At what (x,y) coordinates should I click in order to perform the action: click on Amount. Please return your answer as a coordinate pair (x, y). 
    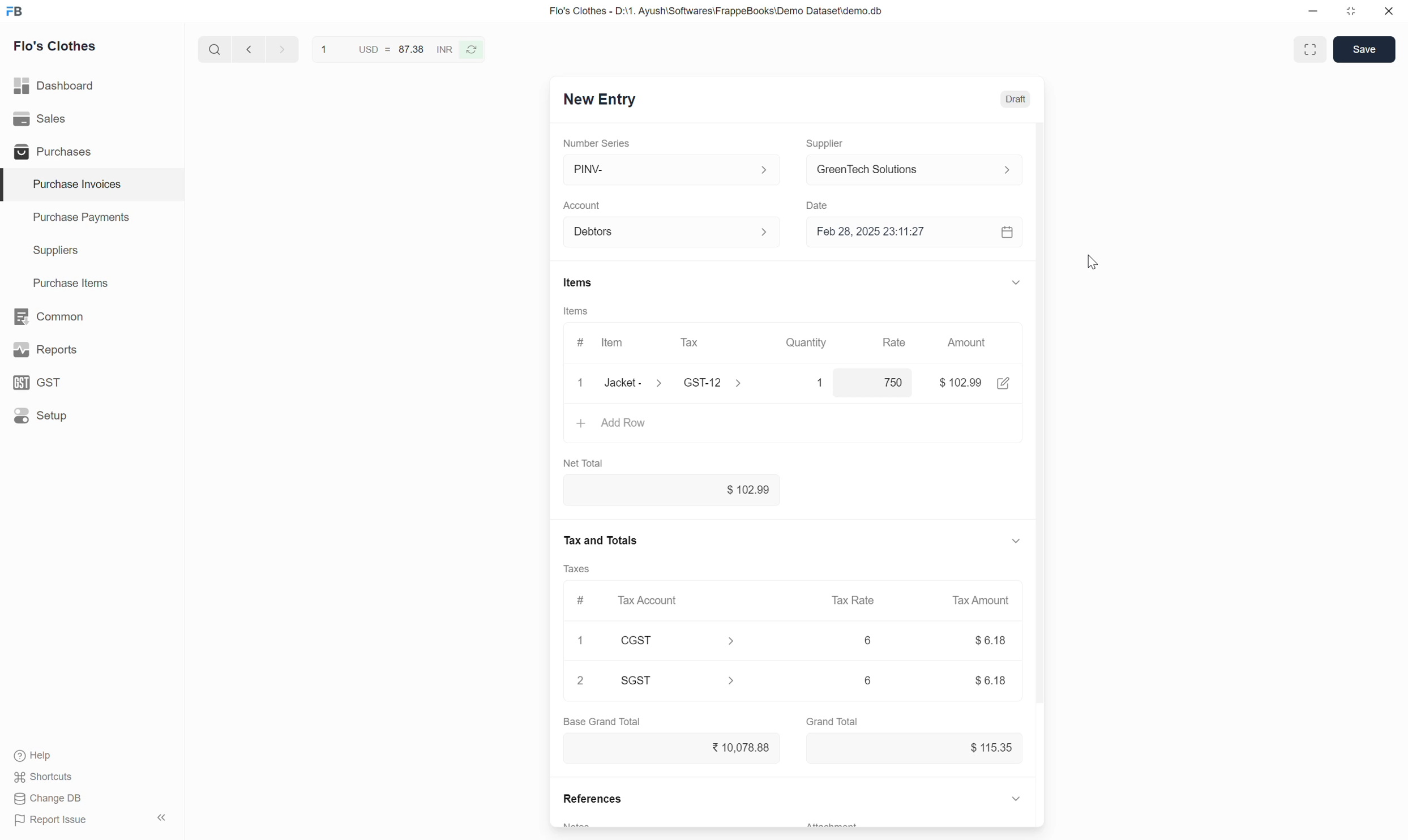
    Looking at the image, I should click on (969, 342).